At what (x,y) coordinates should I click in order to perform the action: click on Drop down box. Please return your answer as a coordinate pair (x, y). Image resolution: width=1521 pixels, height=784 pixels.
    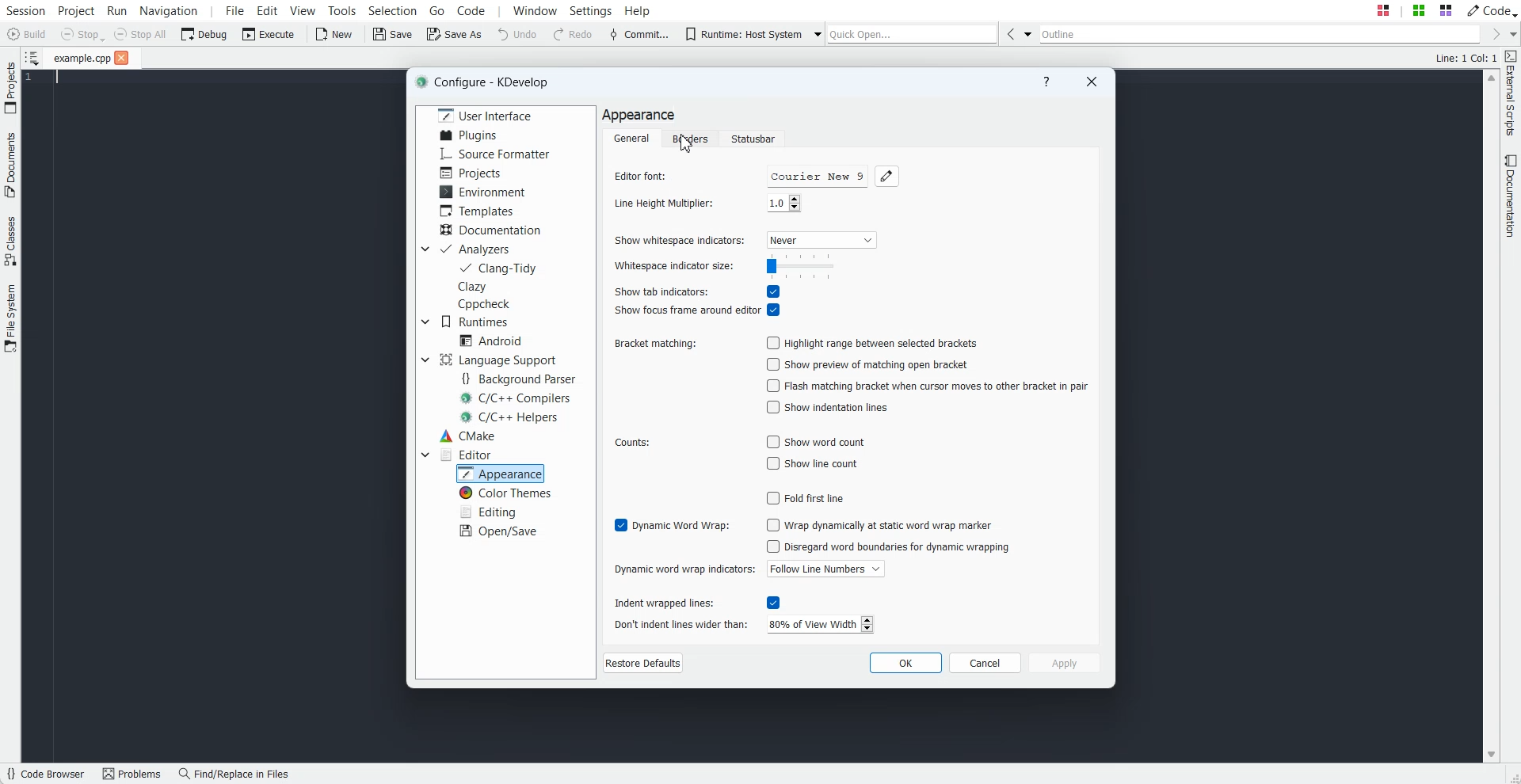
    Looking at the image, I should click on (1511, 34).